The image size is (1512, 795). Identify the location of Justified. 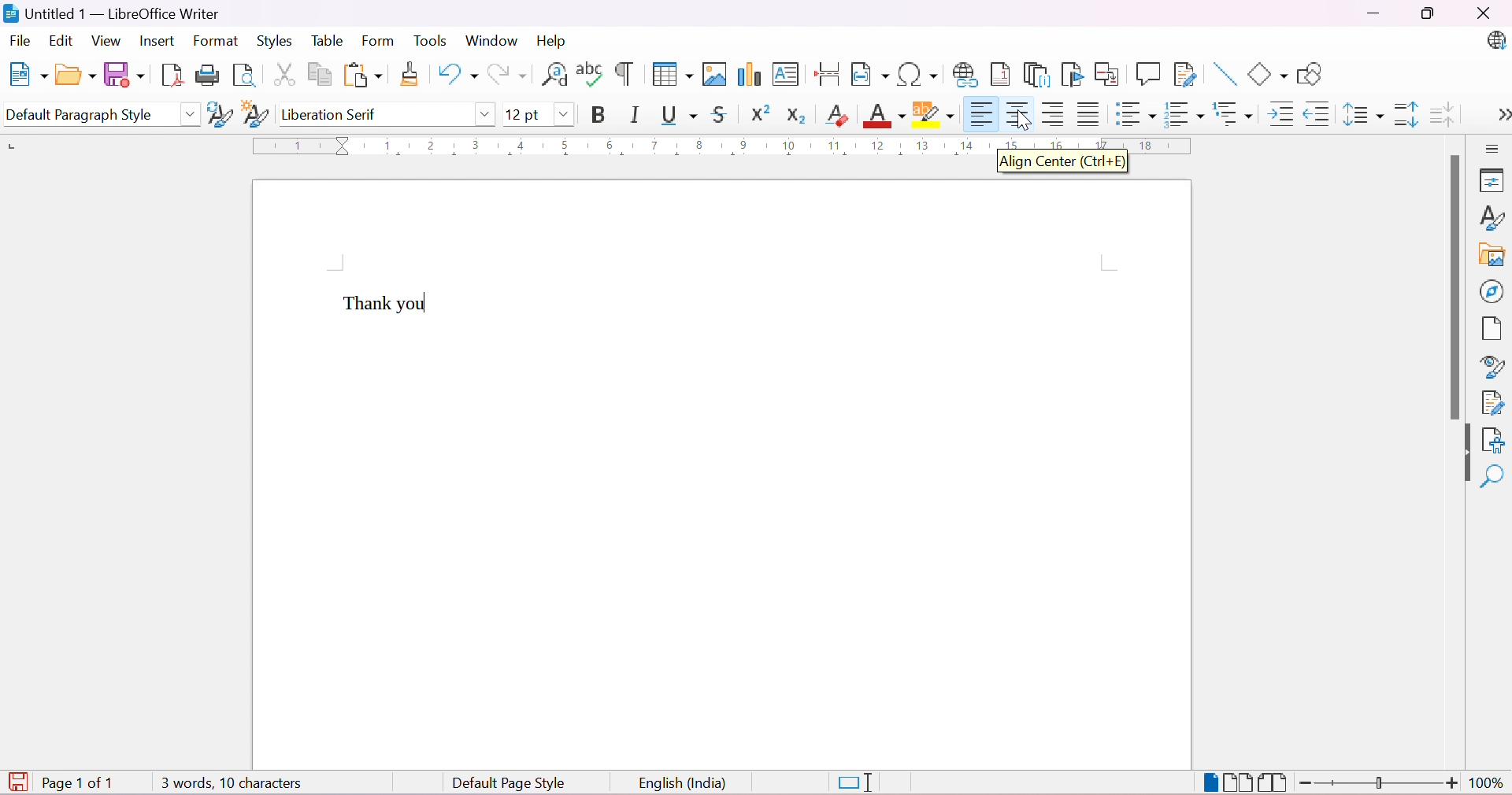
(1088, 113).